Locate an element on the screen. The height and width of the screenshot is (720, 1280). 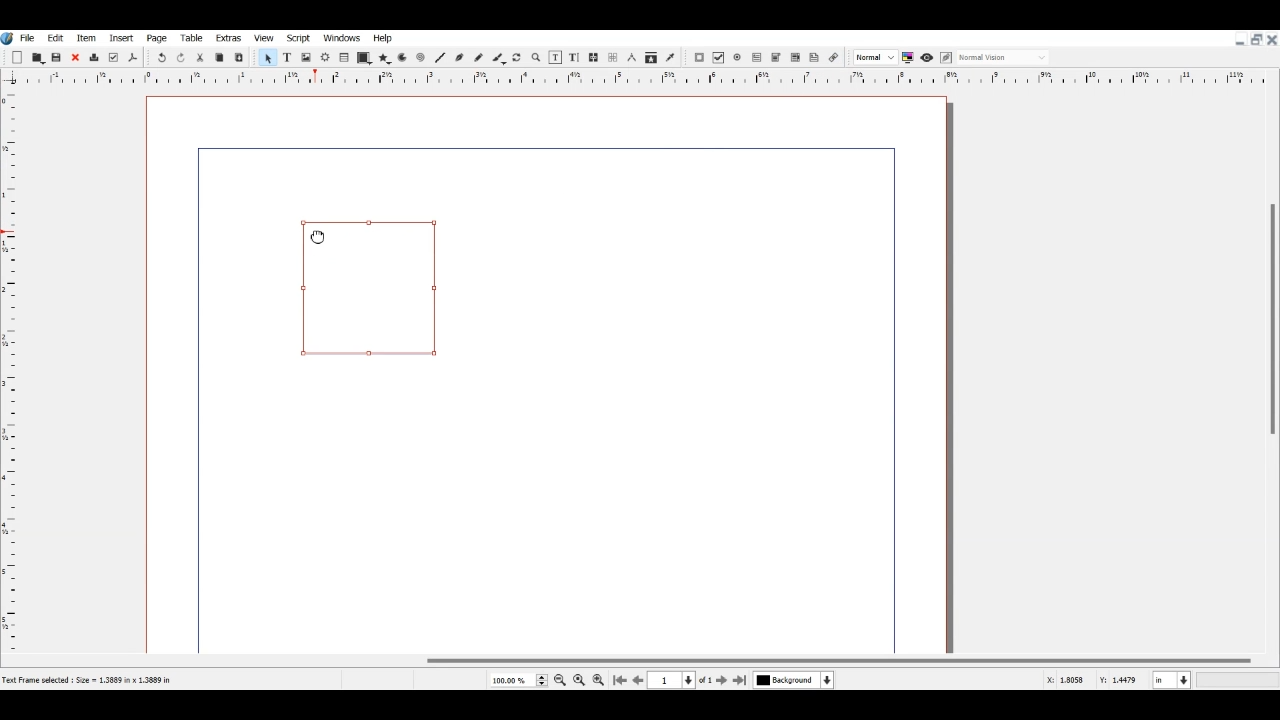
Maximize is located at coordinates (1256, 38).